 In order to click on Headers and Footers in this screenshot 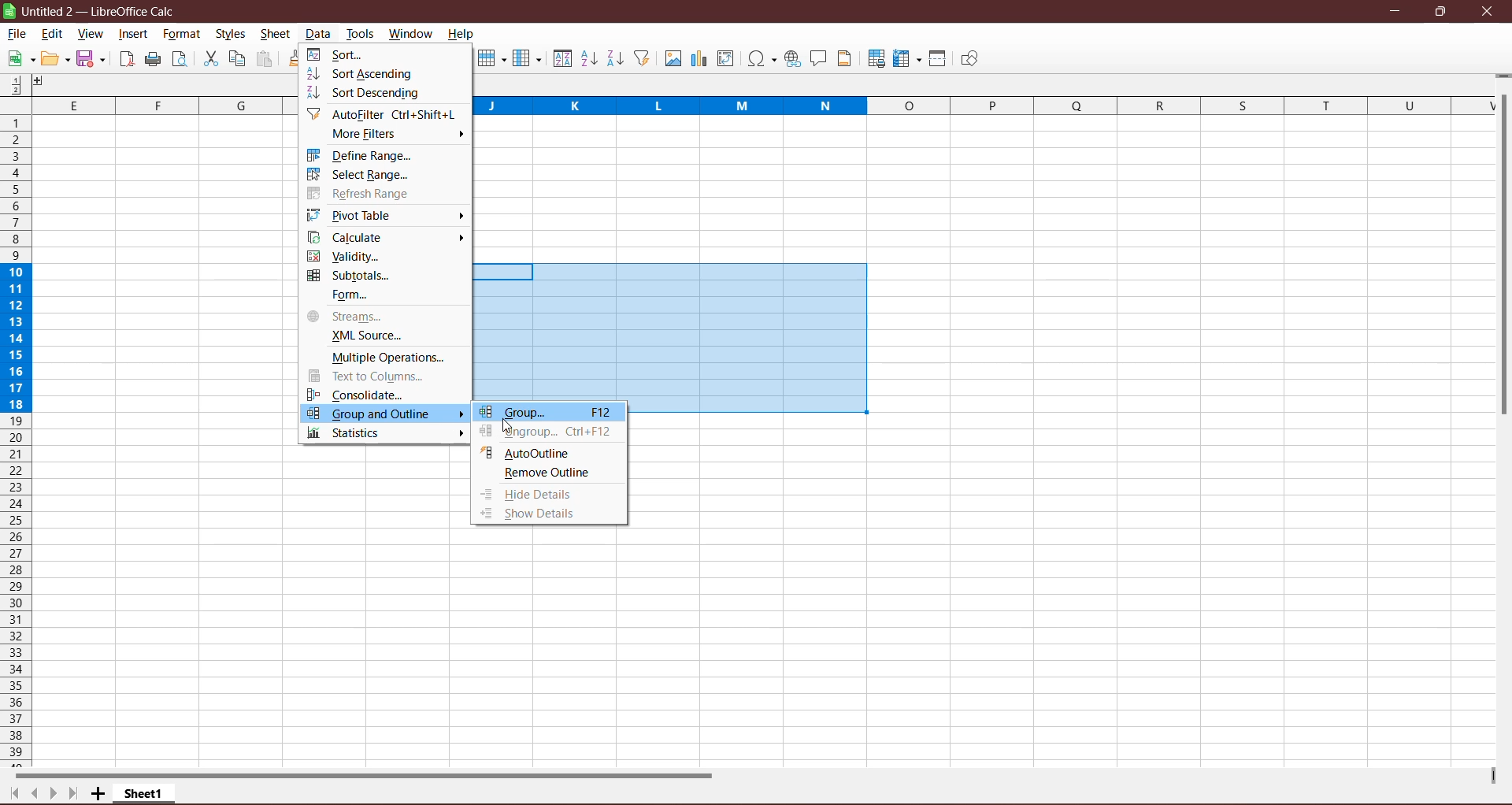, I will do `click(847, 58)`.